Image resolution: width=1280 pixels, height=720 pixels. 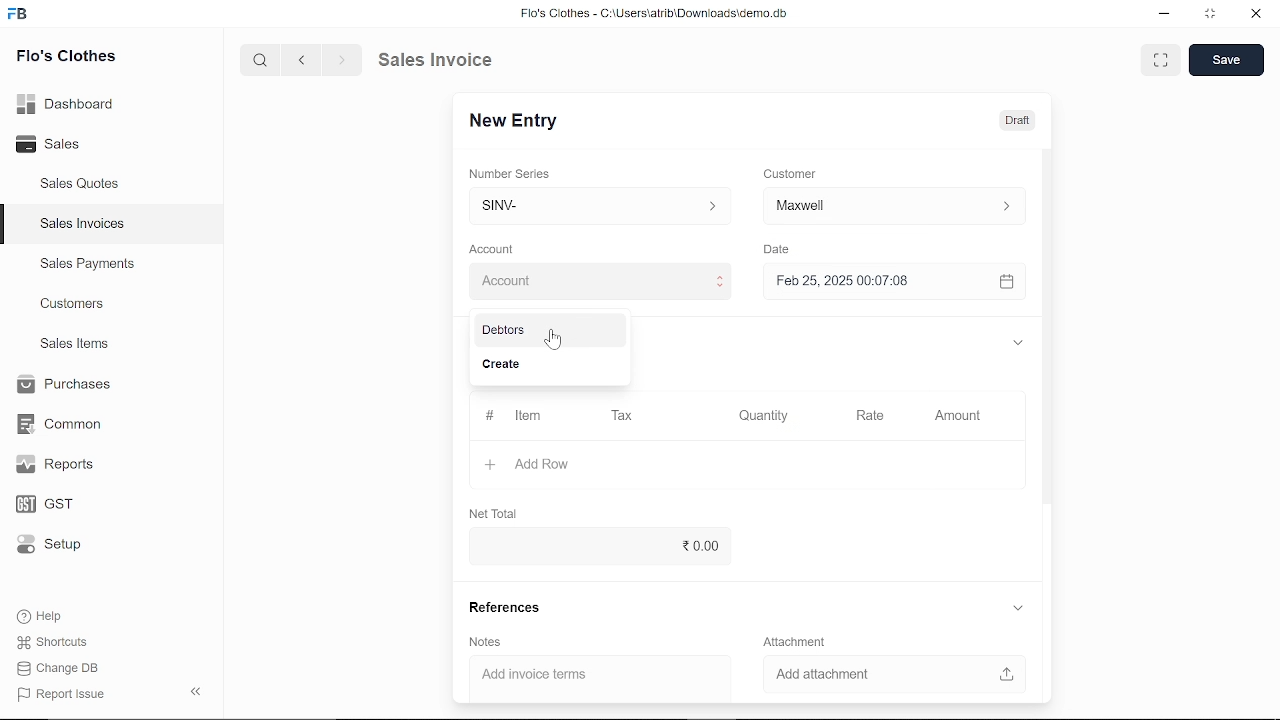 I want to click on previous, so click(x=303, y=60).